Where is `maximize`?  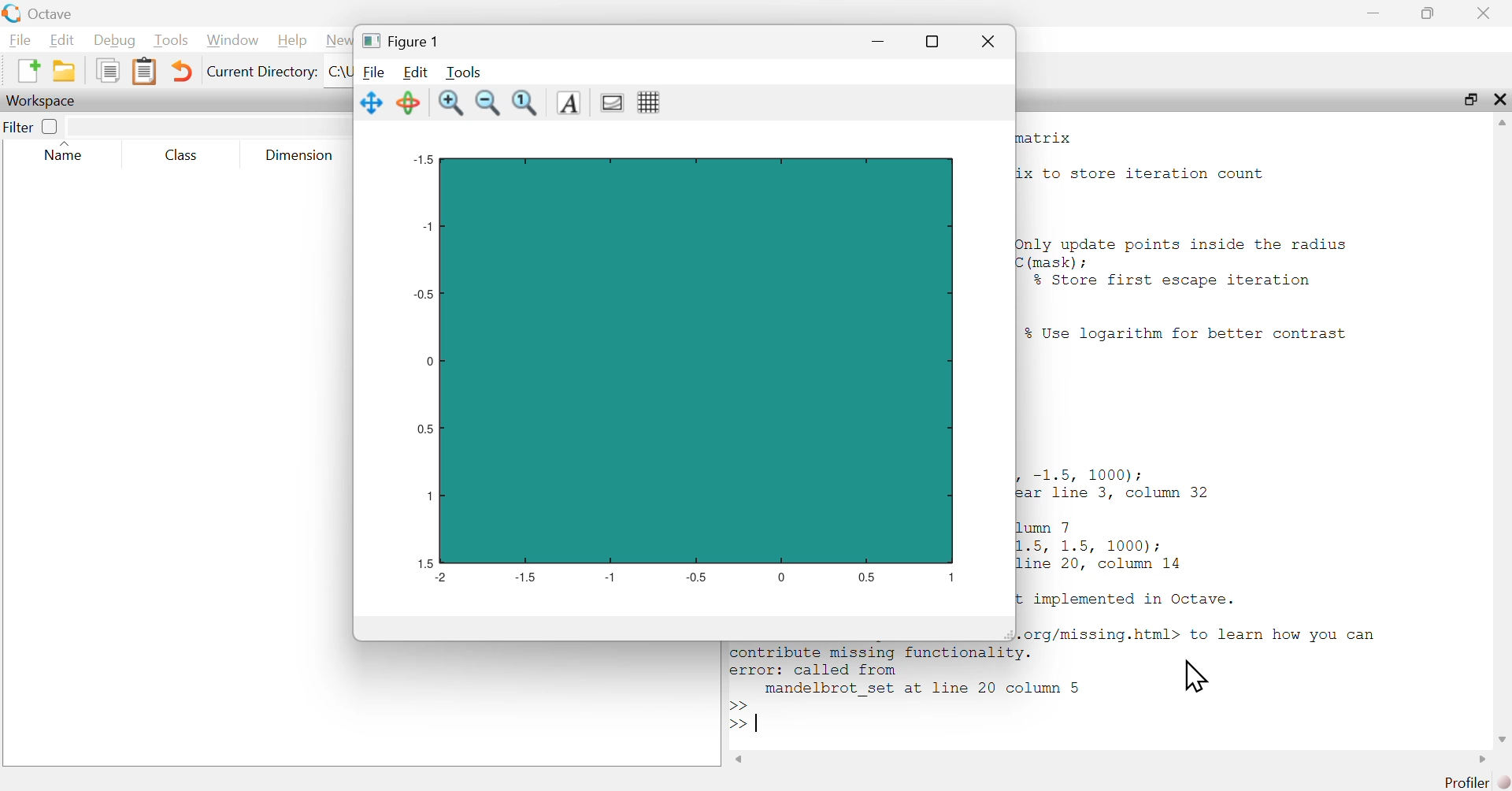 maximize is located at coordinates (1471, 100).